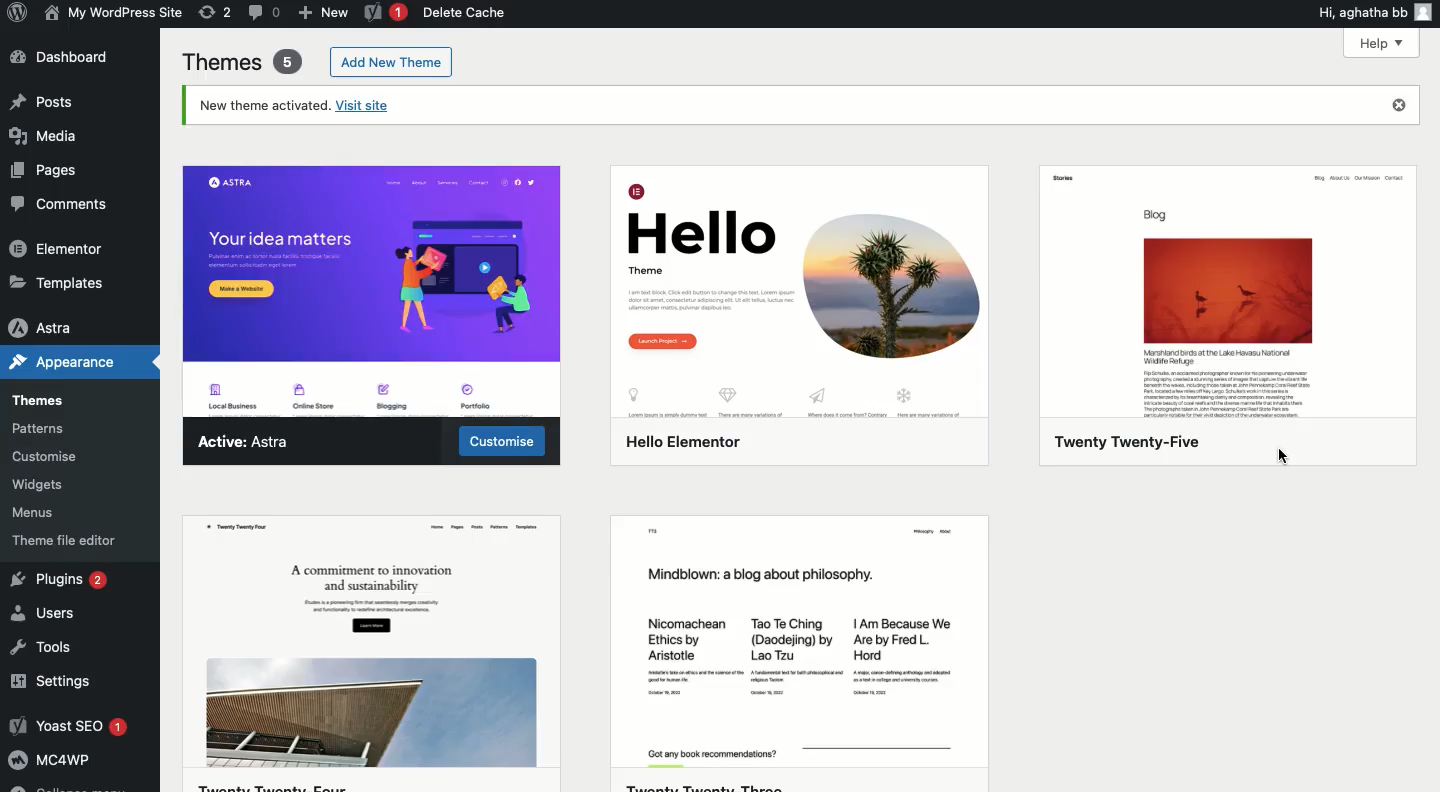  I want to click on Twenty Twenty Three  Theme, so click(800, 657).